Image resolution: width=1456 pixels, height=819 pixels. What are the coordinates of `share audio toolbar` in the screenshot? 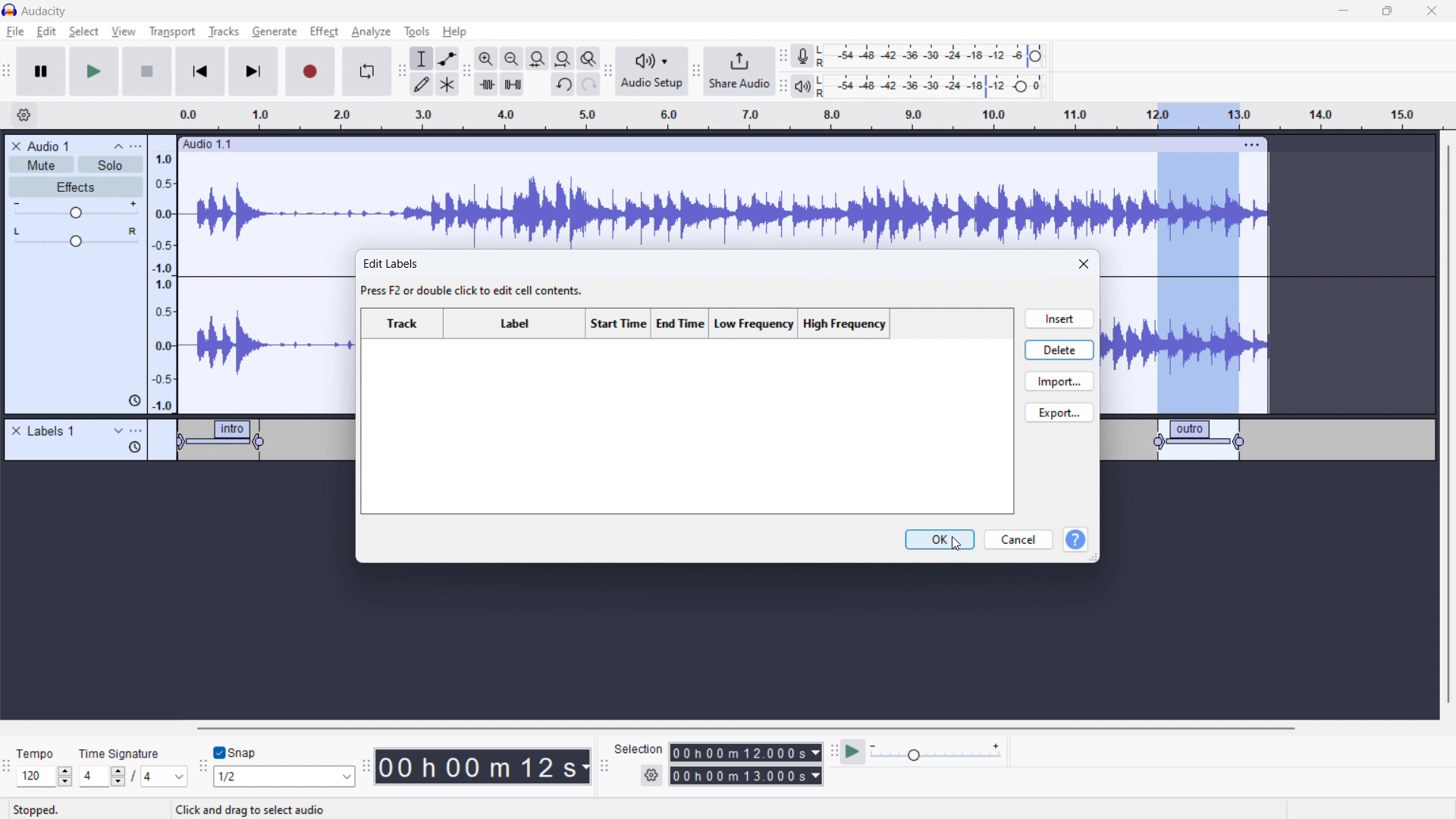 It's located at (696, 73).